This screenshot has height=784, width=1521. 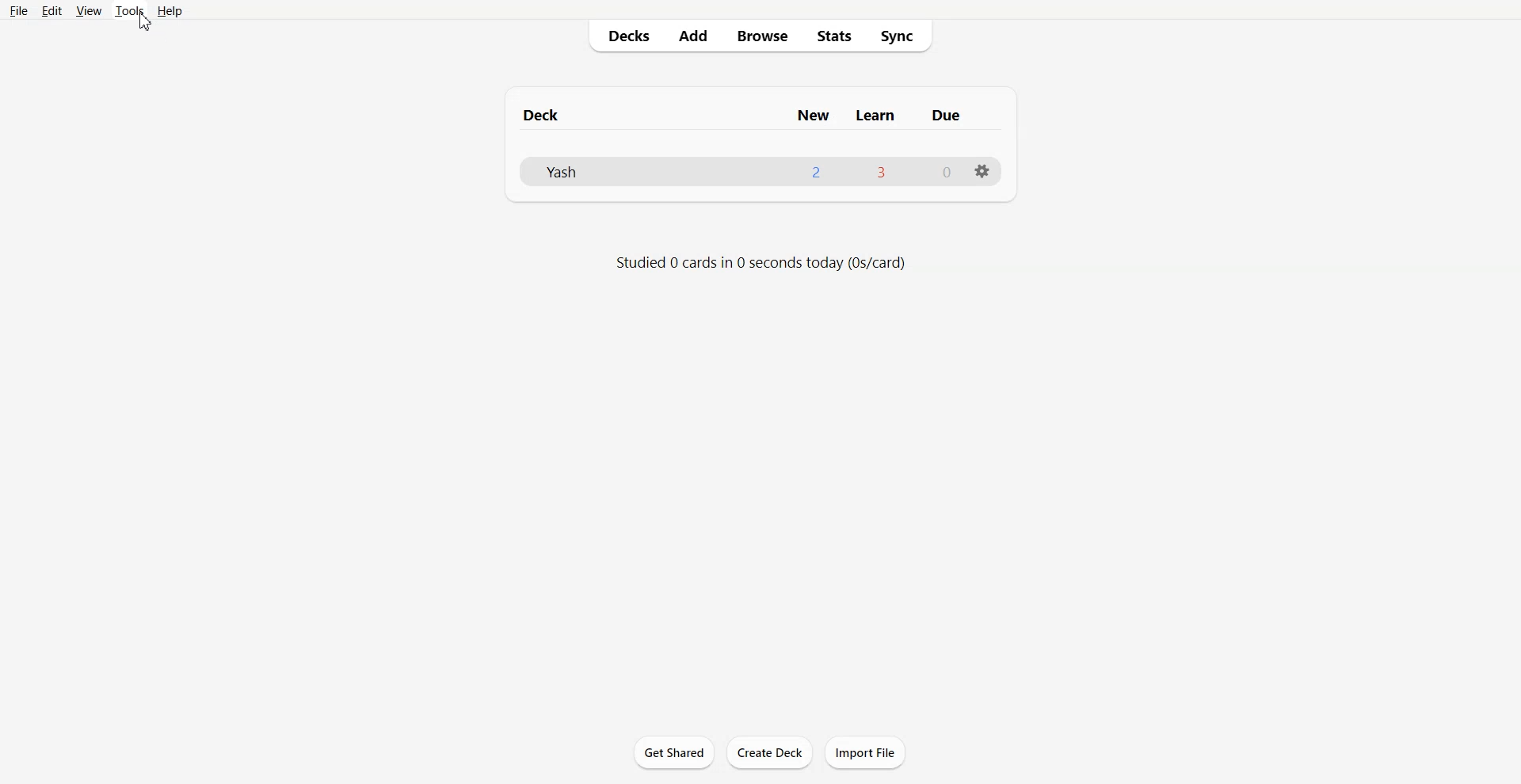 I want to click on Settings, so click(x=982, y=172).